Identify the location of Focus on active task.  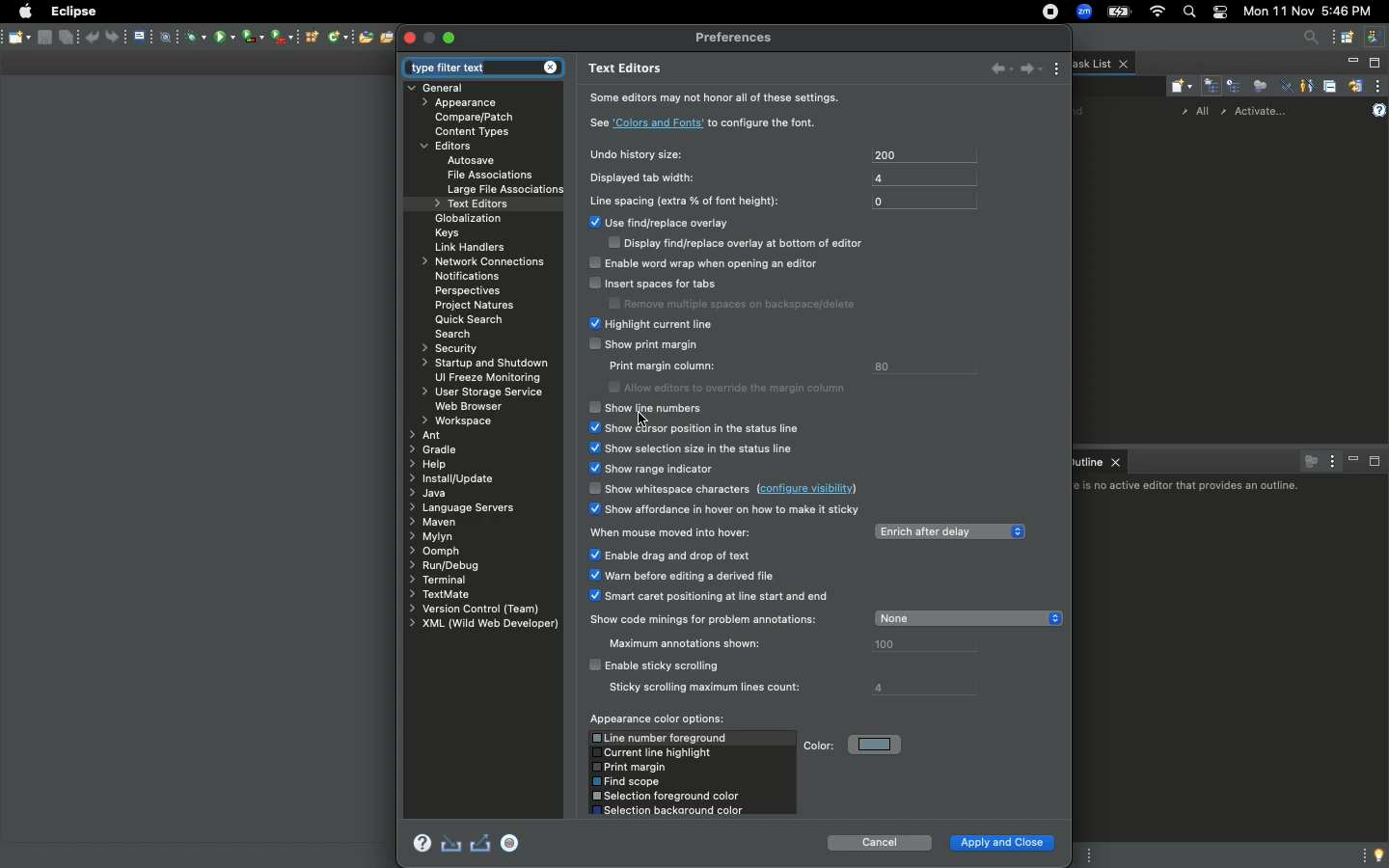
(1308, 460).